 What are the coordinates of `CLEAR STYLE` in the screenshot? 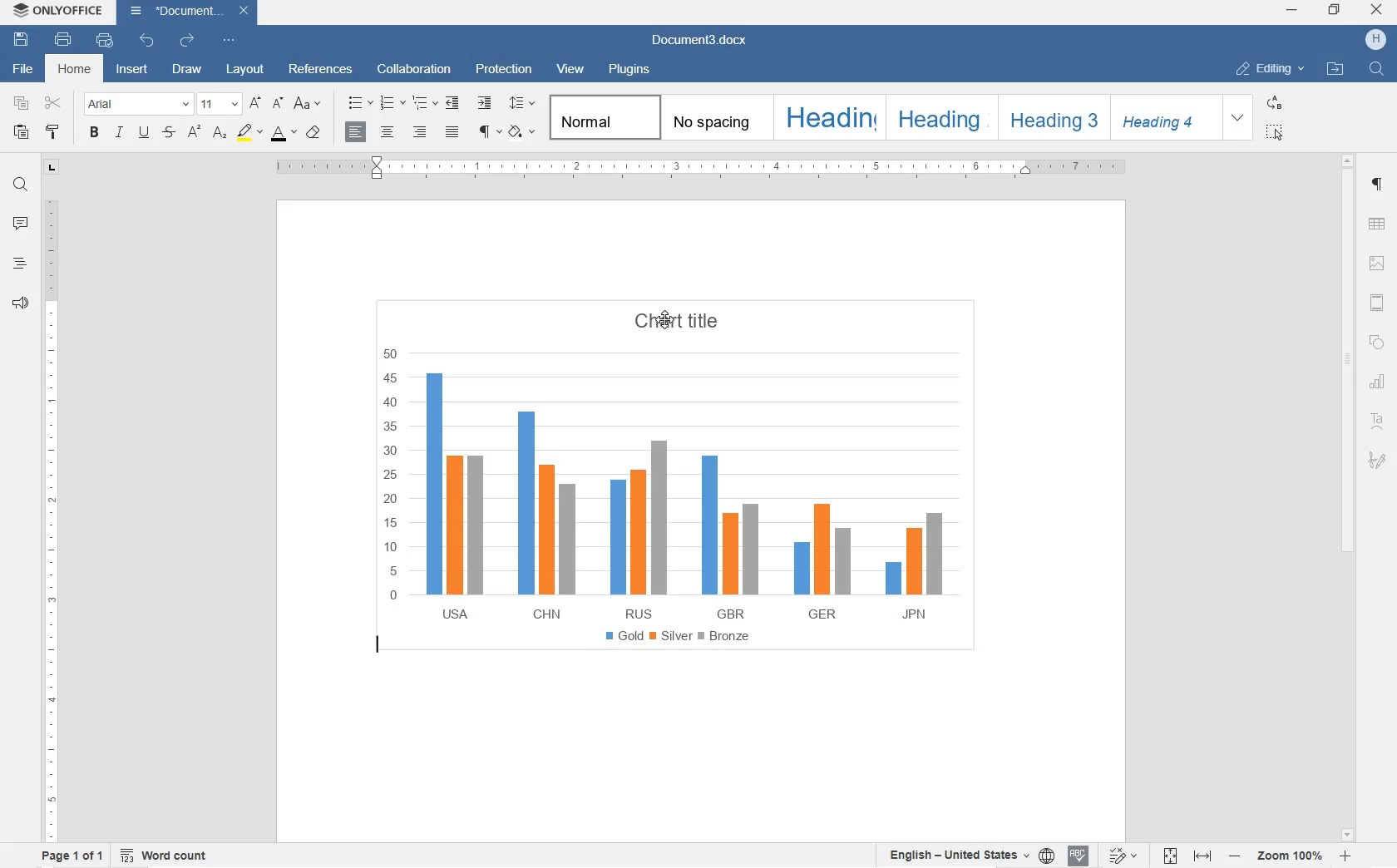 It's located at (313, 133).